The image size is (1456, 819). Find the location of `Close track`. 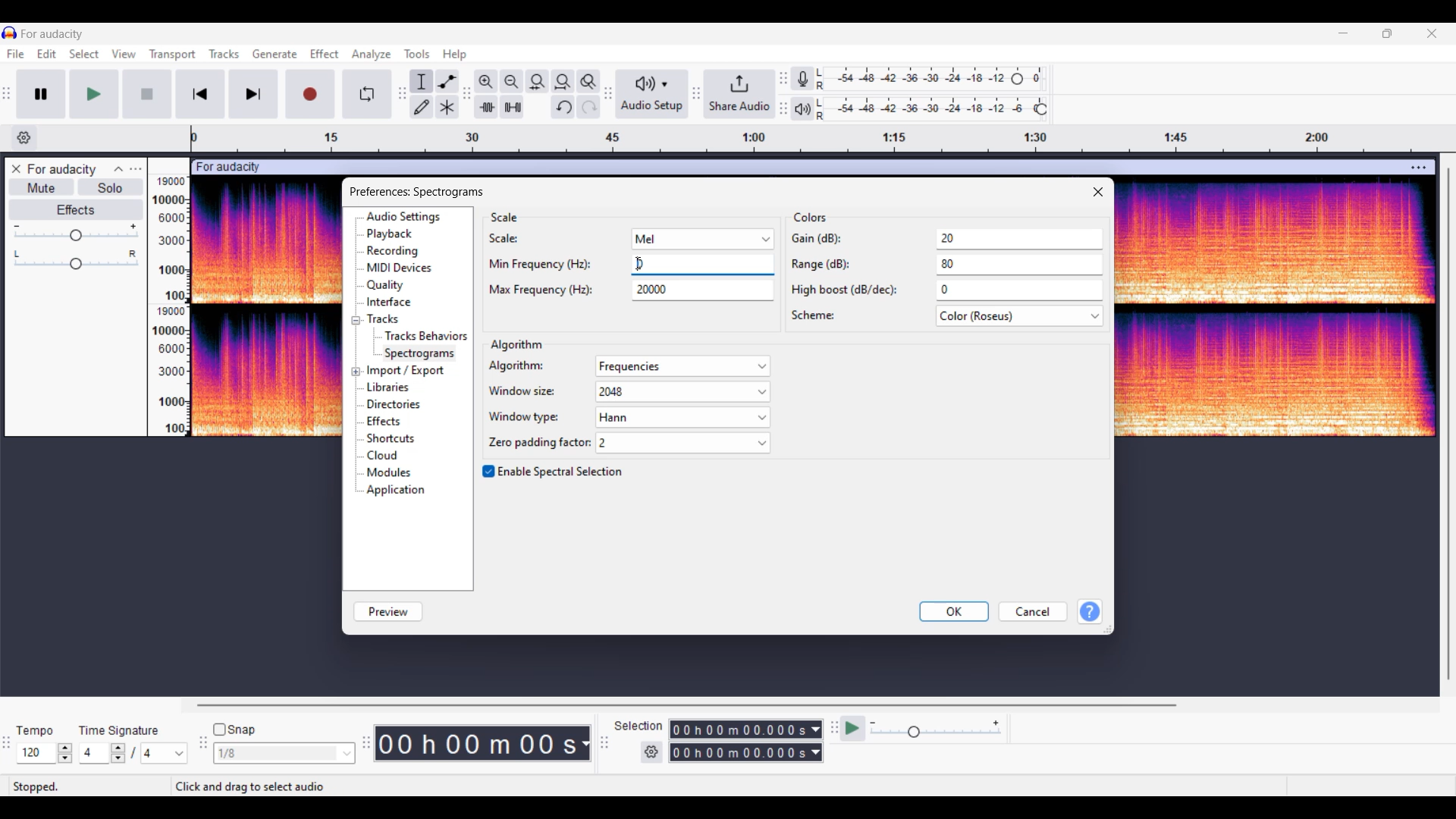

Close track is located at coordinates (16, 168).